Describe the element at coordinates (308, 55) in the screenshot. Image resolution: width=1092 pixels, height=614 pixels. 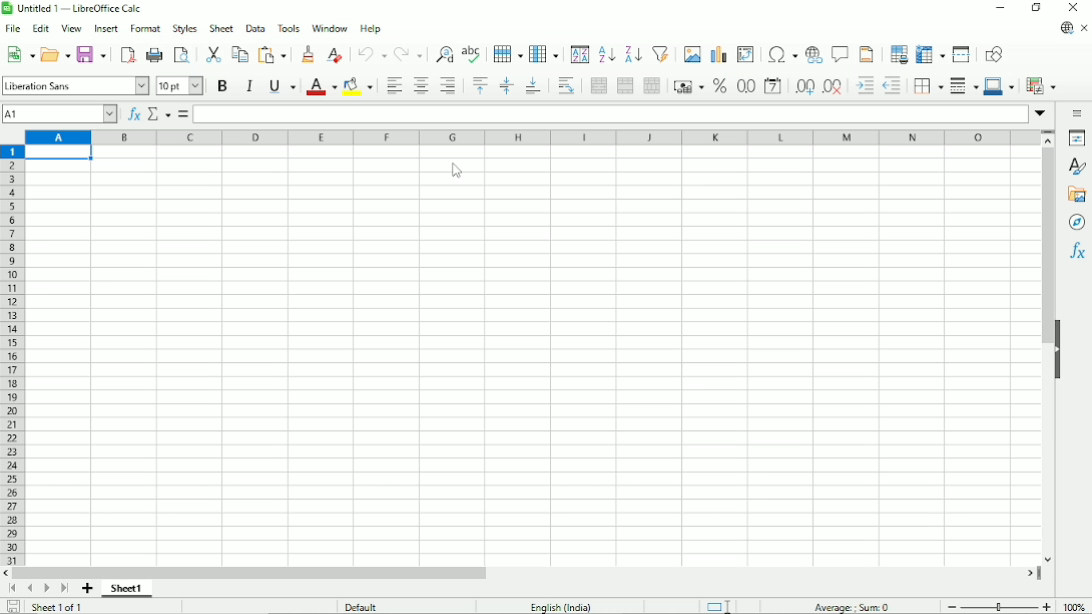
I see `Clone formatting` at that location.